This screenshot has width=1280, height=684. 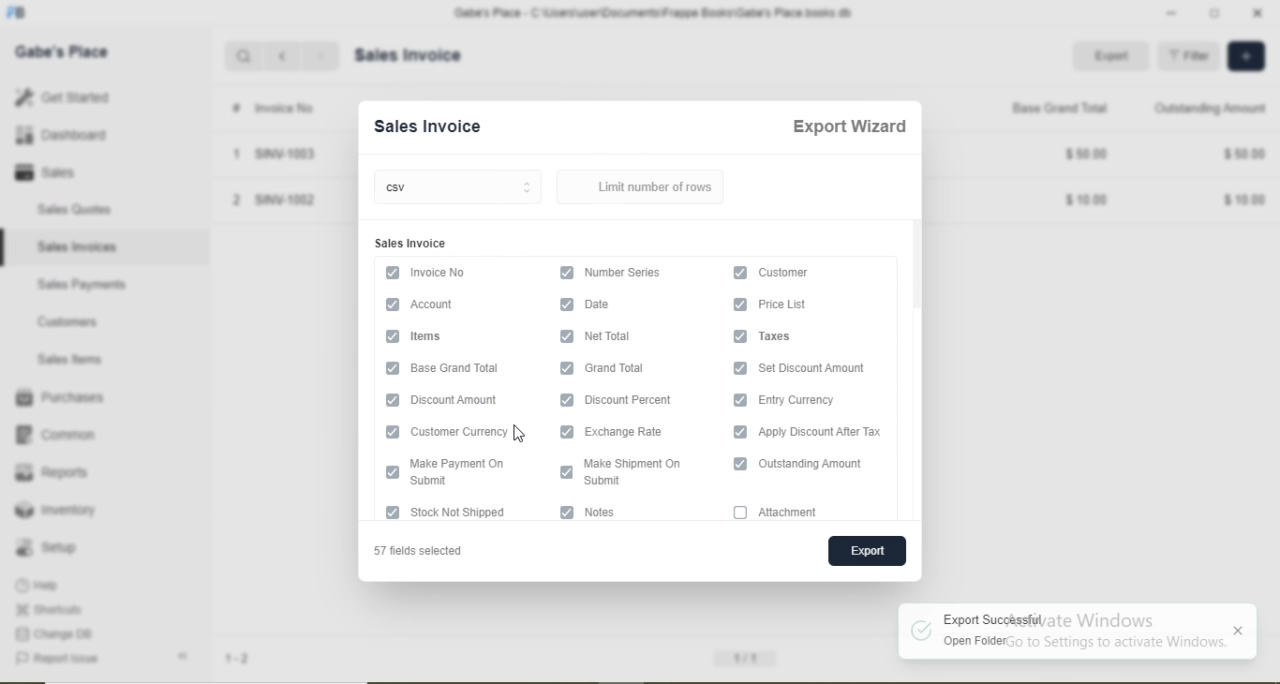 I want to click on checkbox, so click(x=739, y=304).